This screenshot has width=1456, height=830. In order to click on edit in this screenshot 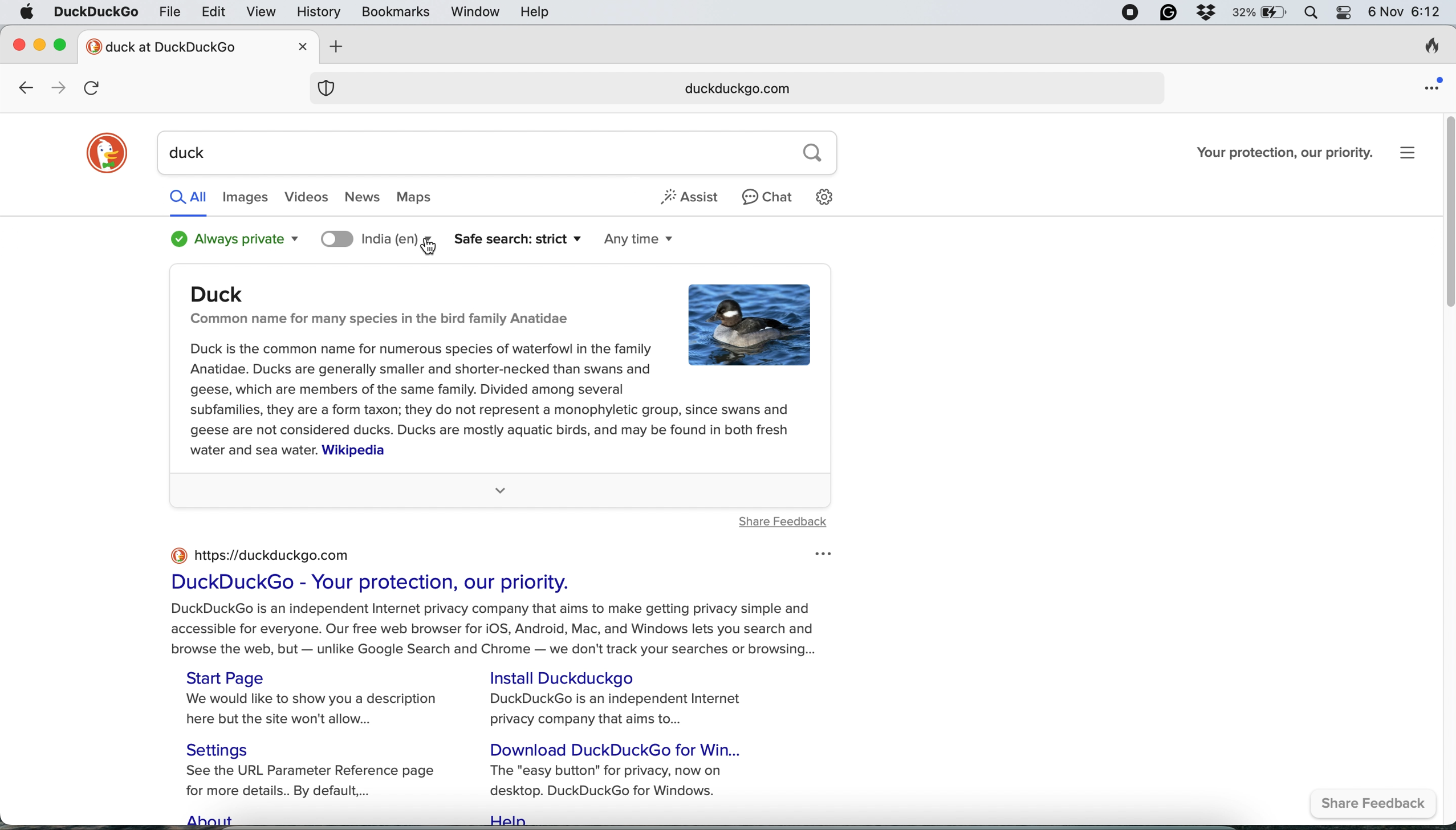, I will do `click(215, 11)`.